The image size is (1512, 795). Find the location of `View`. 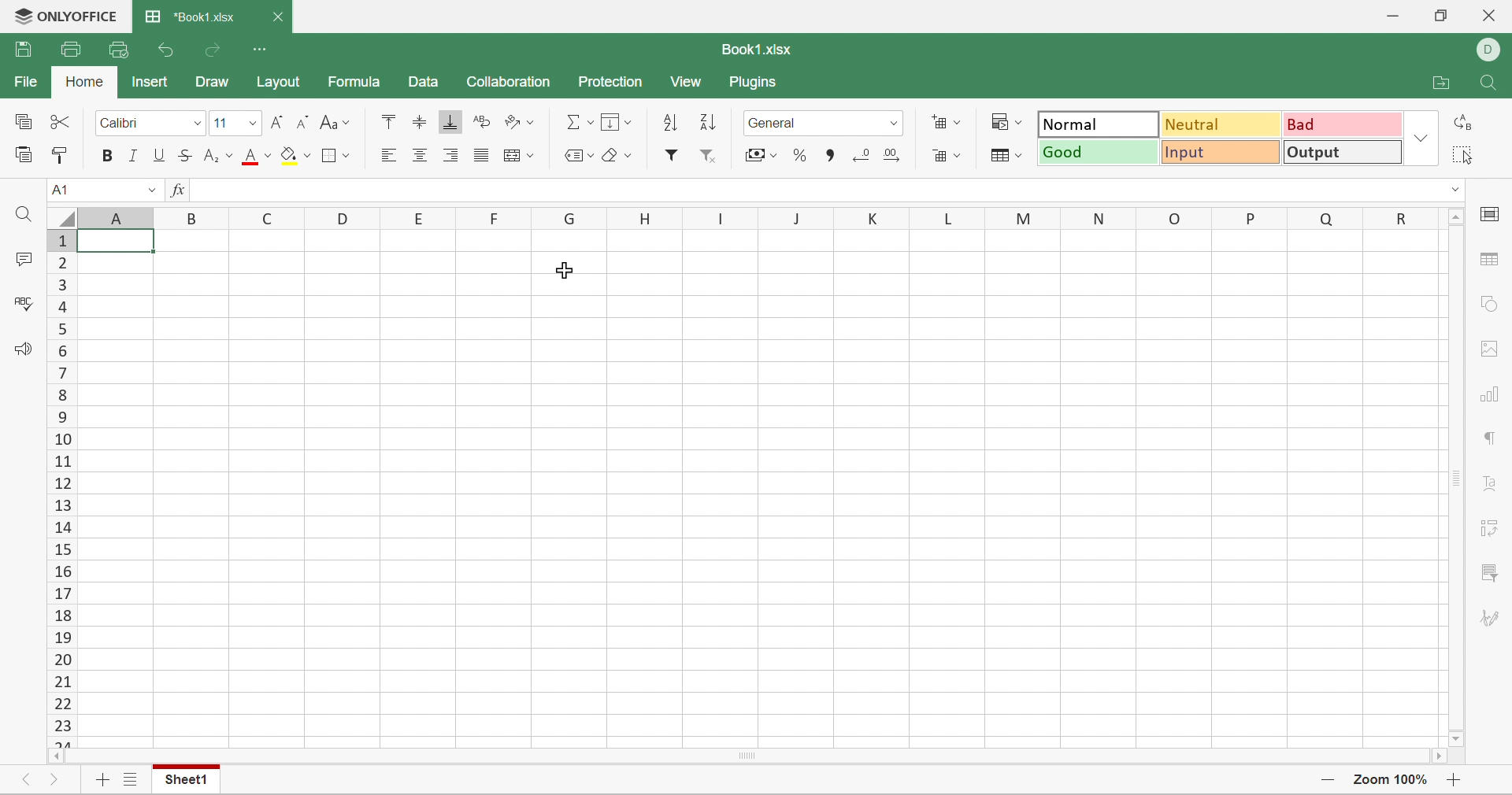

View is located at coordinates (688, 83).